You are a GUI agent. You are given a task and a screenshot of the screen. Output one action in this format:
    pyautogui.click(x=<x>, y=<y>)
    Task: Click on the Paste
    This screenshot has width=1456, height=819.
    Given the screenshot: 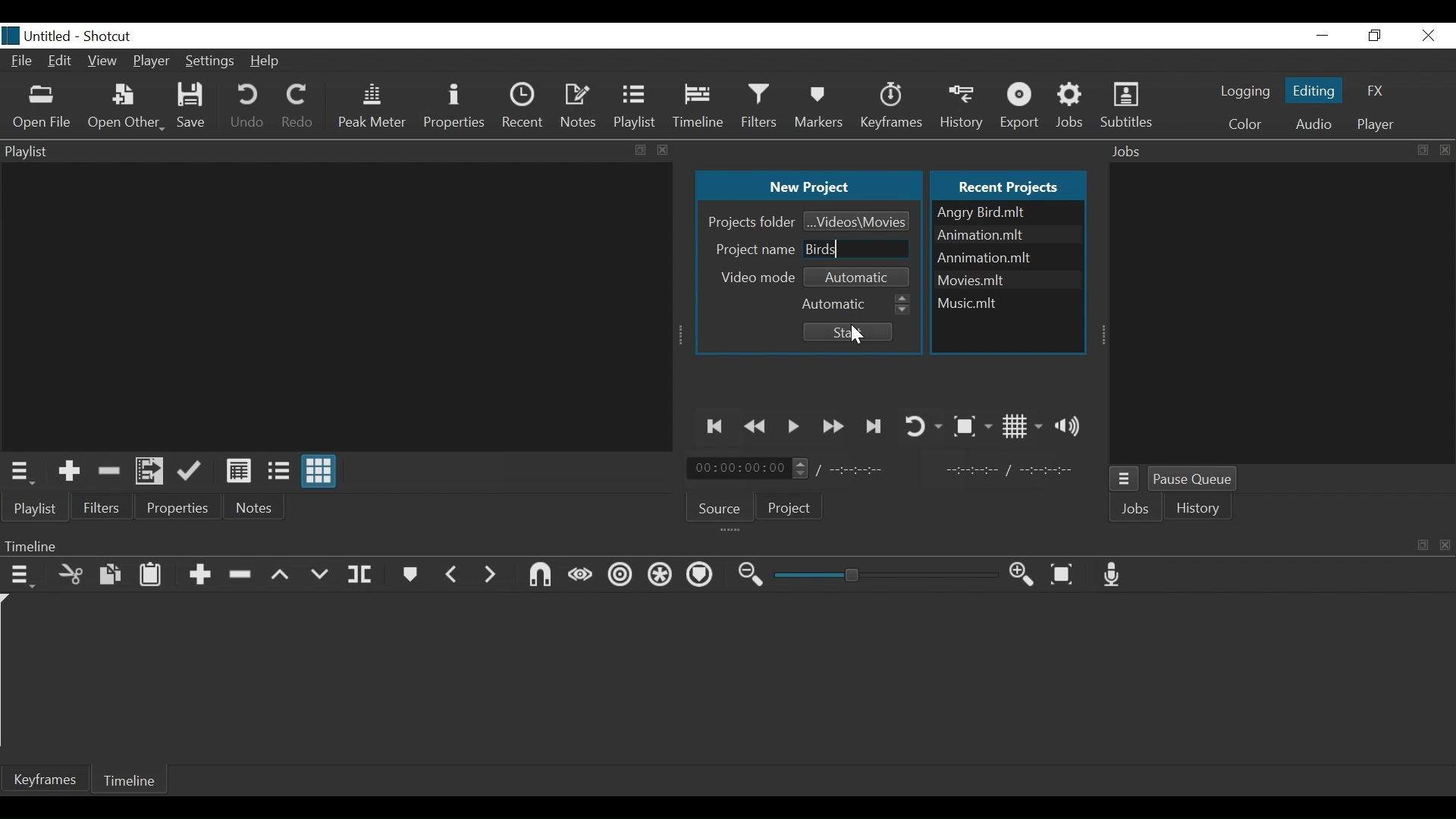 What is the action you would take?
    pyautogui.click(x=151, y=574)
    